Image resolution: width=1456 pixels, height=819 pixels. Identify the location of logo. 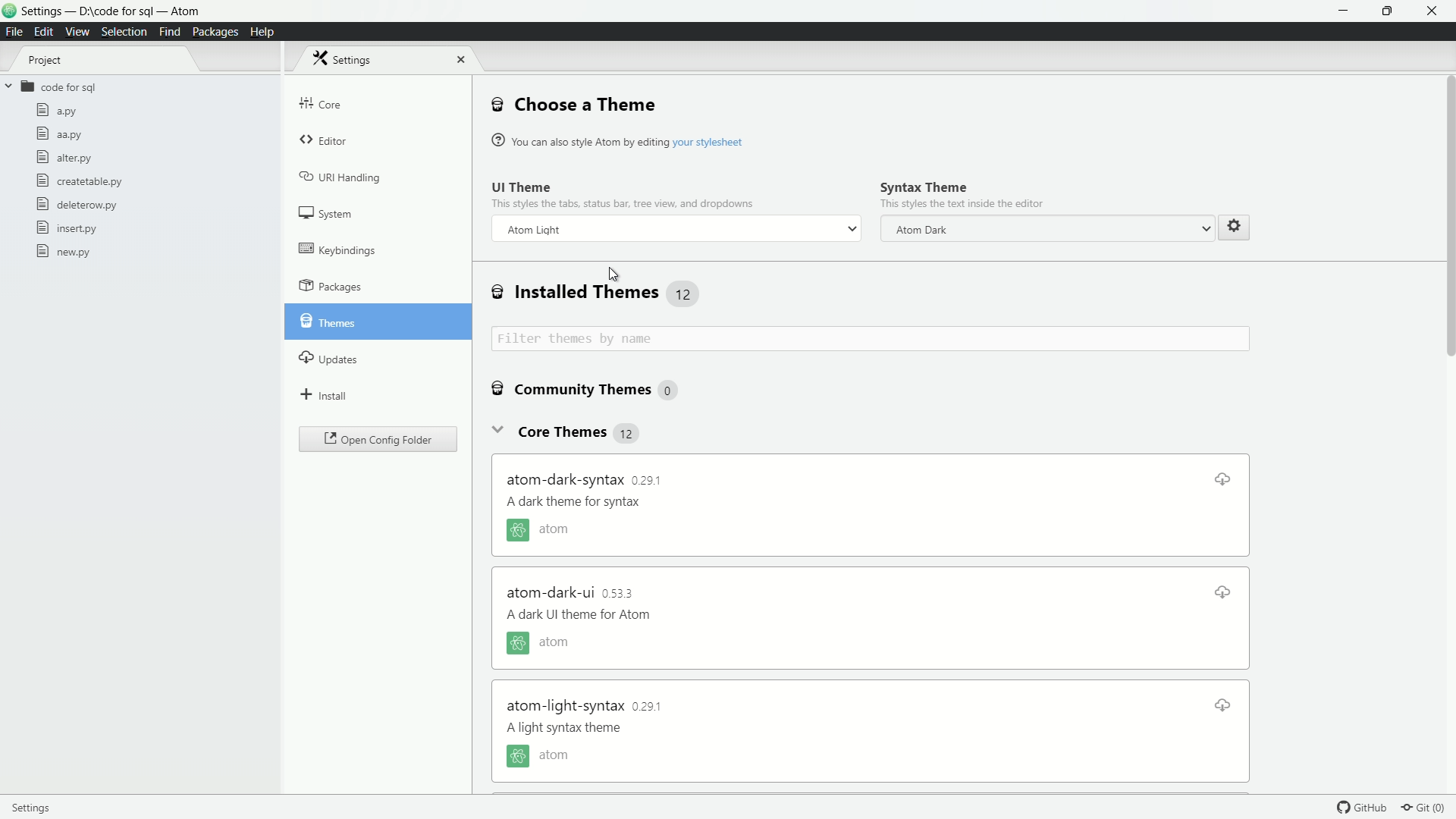
(9, 13).